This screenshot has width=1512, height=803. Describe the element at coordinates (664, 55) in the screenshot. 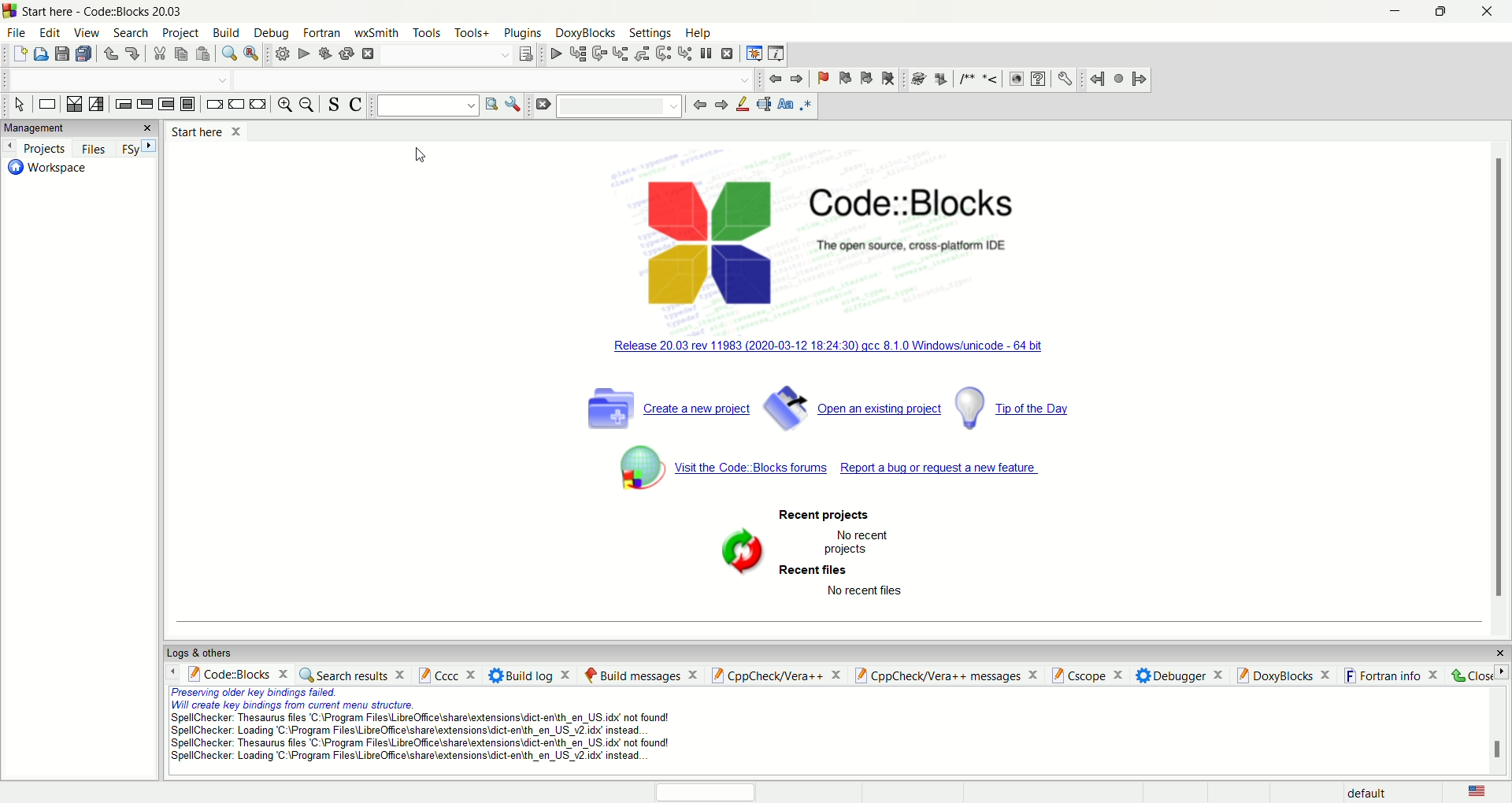

I see `next instruction` at that location.